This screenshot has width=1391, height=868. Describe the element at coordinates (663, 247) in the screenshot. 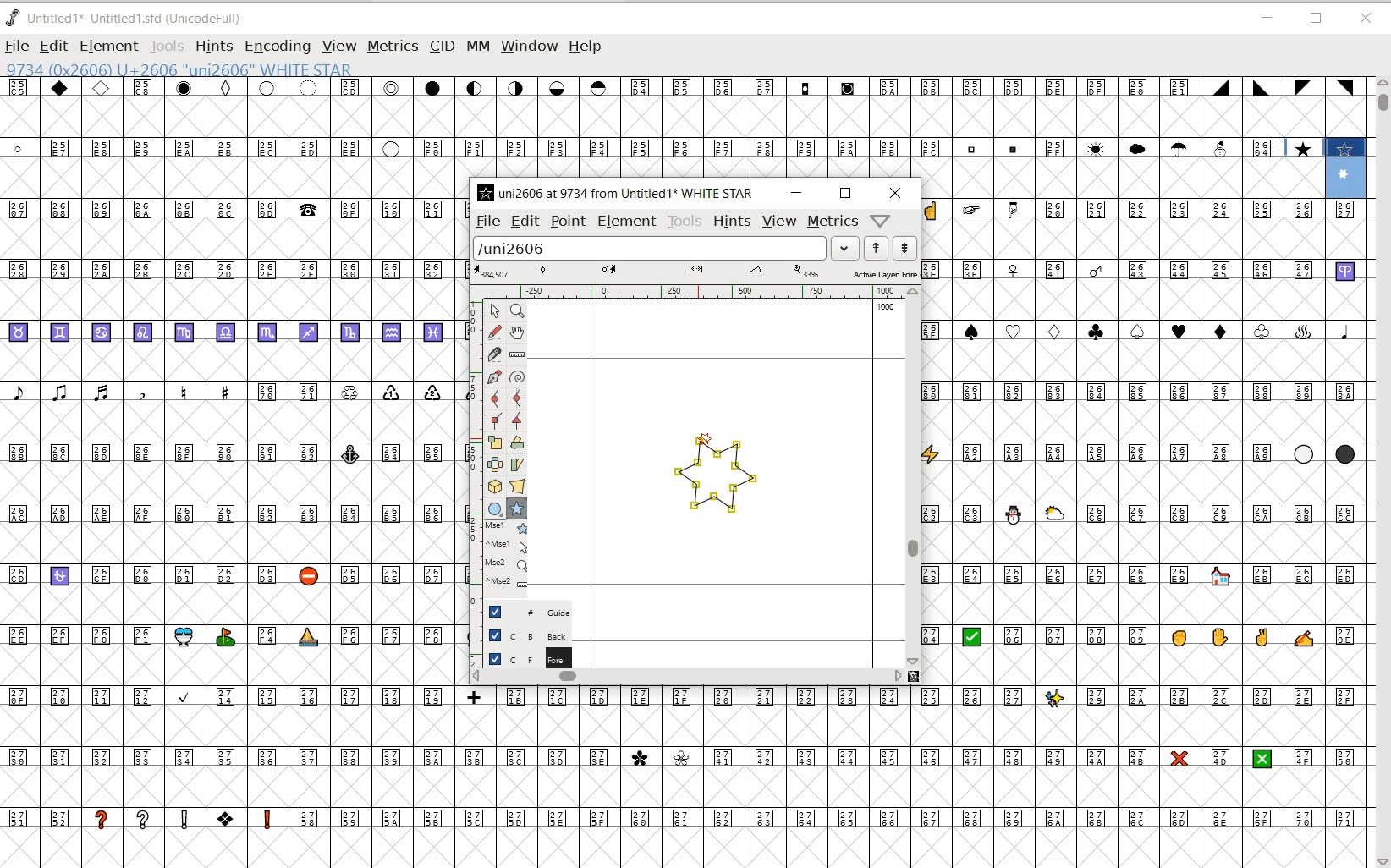

I see `load word list` at that location.